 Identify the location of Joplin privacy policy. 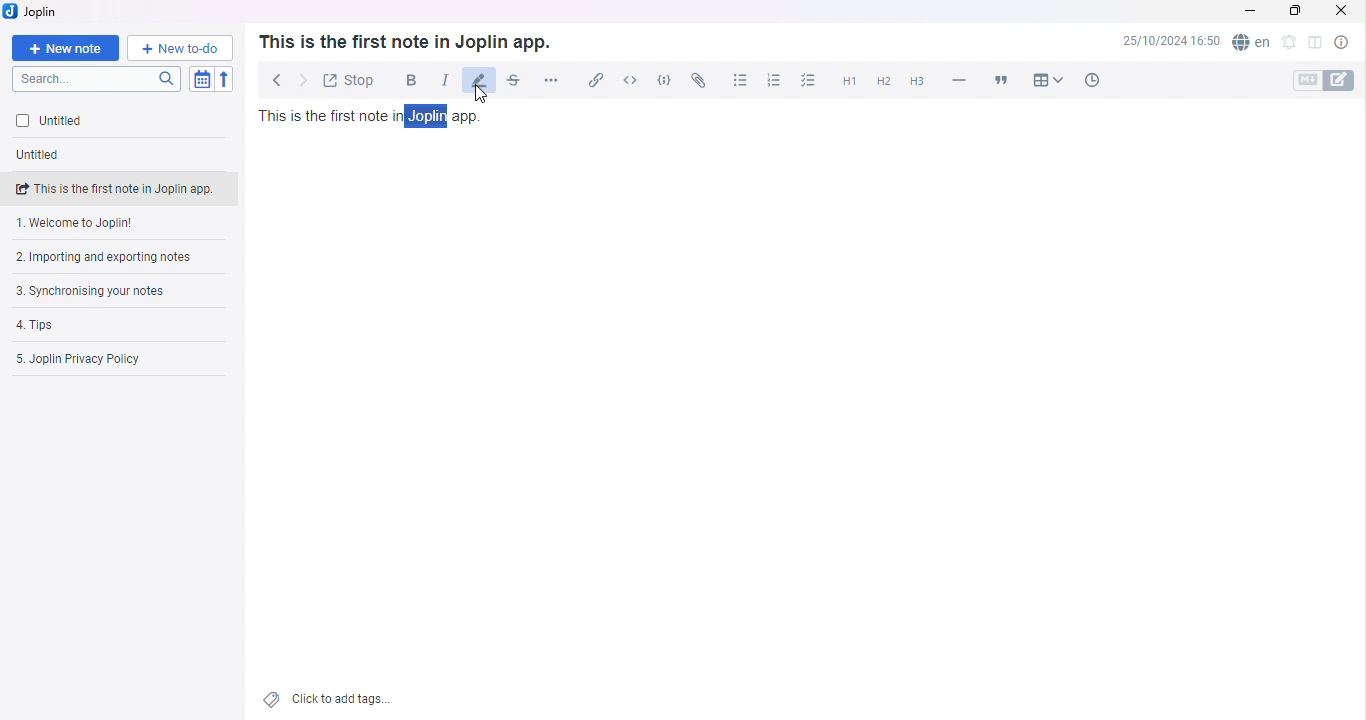
(109, 359).